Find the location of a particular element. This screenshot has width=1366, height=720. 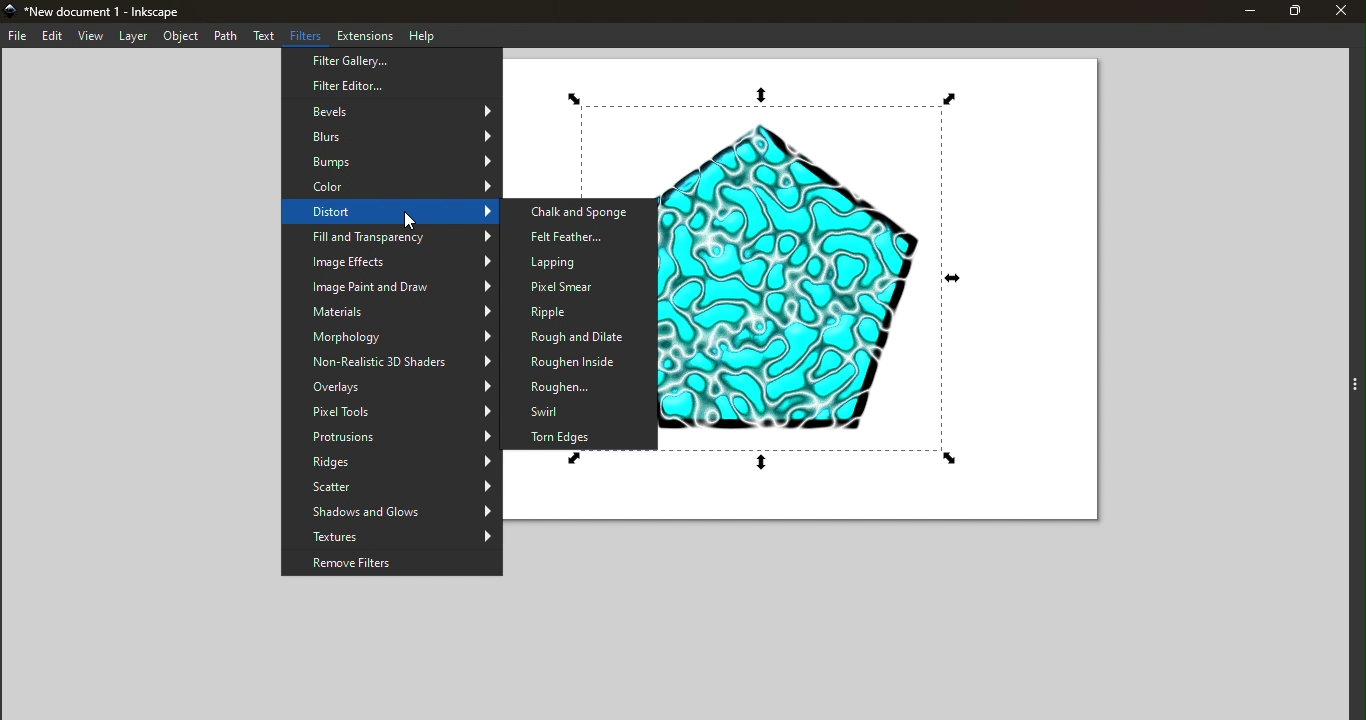

Text is located at coordinates (266, 36).